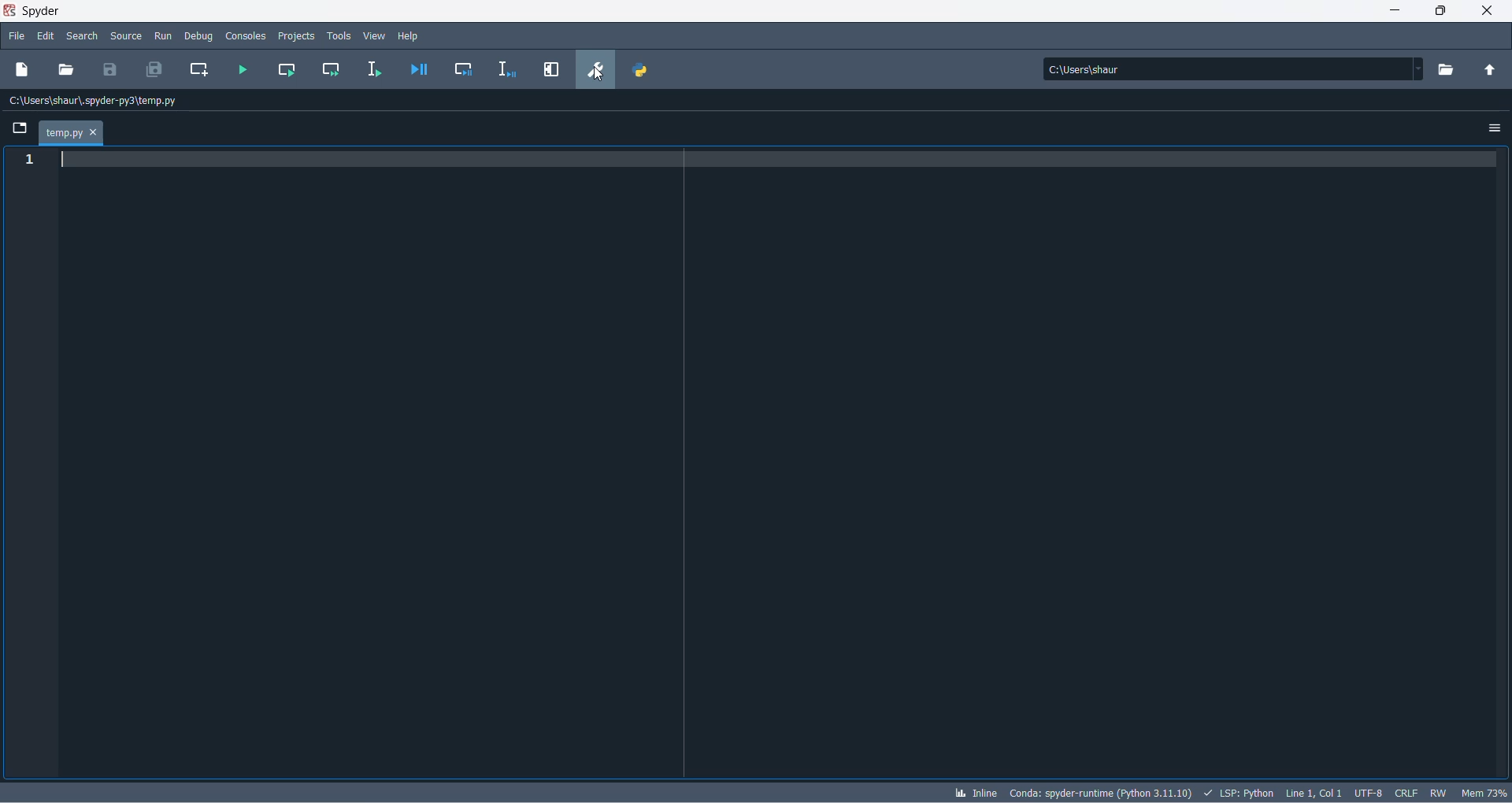 This screenshot has height=803, width=1512. Describe the element at coordinates (295, 36) in the screenshot. I see `projects` at that location.